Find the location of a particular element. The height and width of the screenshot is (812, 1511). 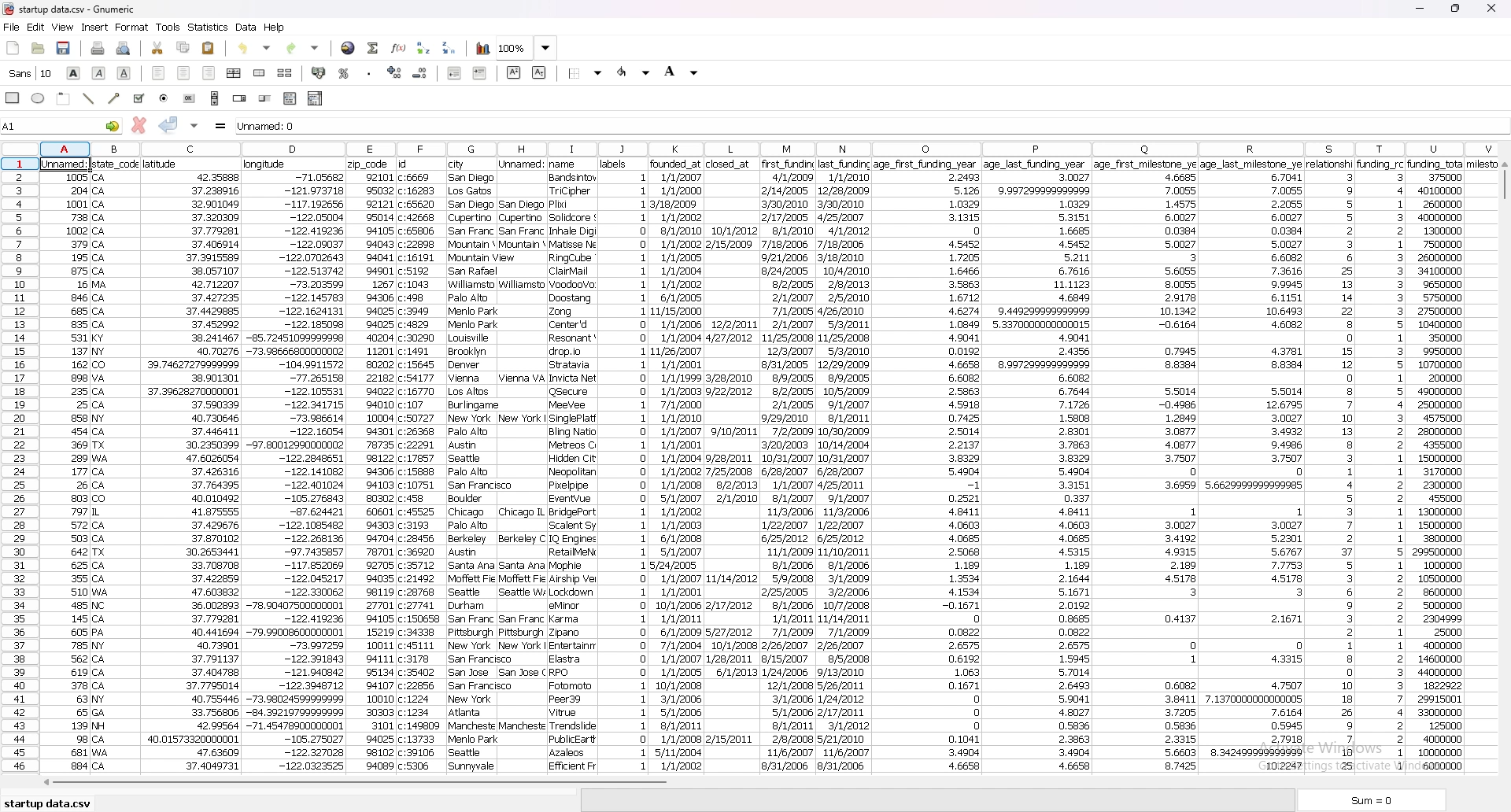

cursor description is located at coordinates (39, 75).